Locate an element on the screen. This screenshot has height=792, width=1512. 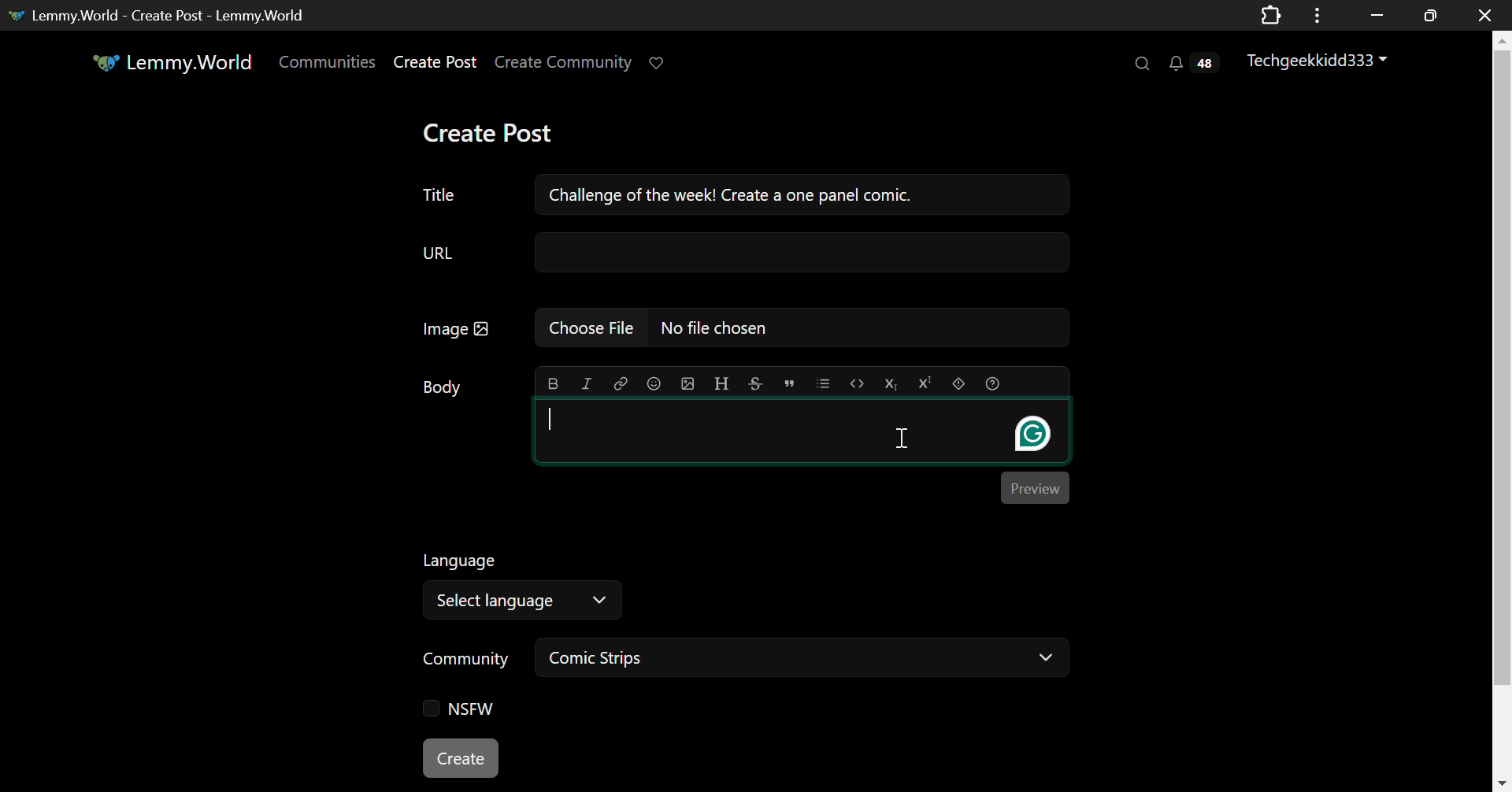
Preview is located at coordinates (1036, 487).